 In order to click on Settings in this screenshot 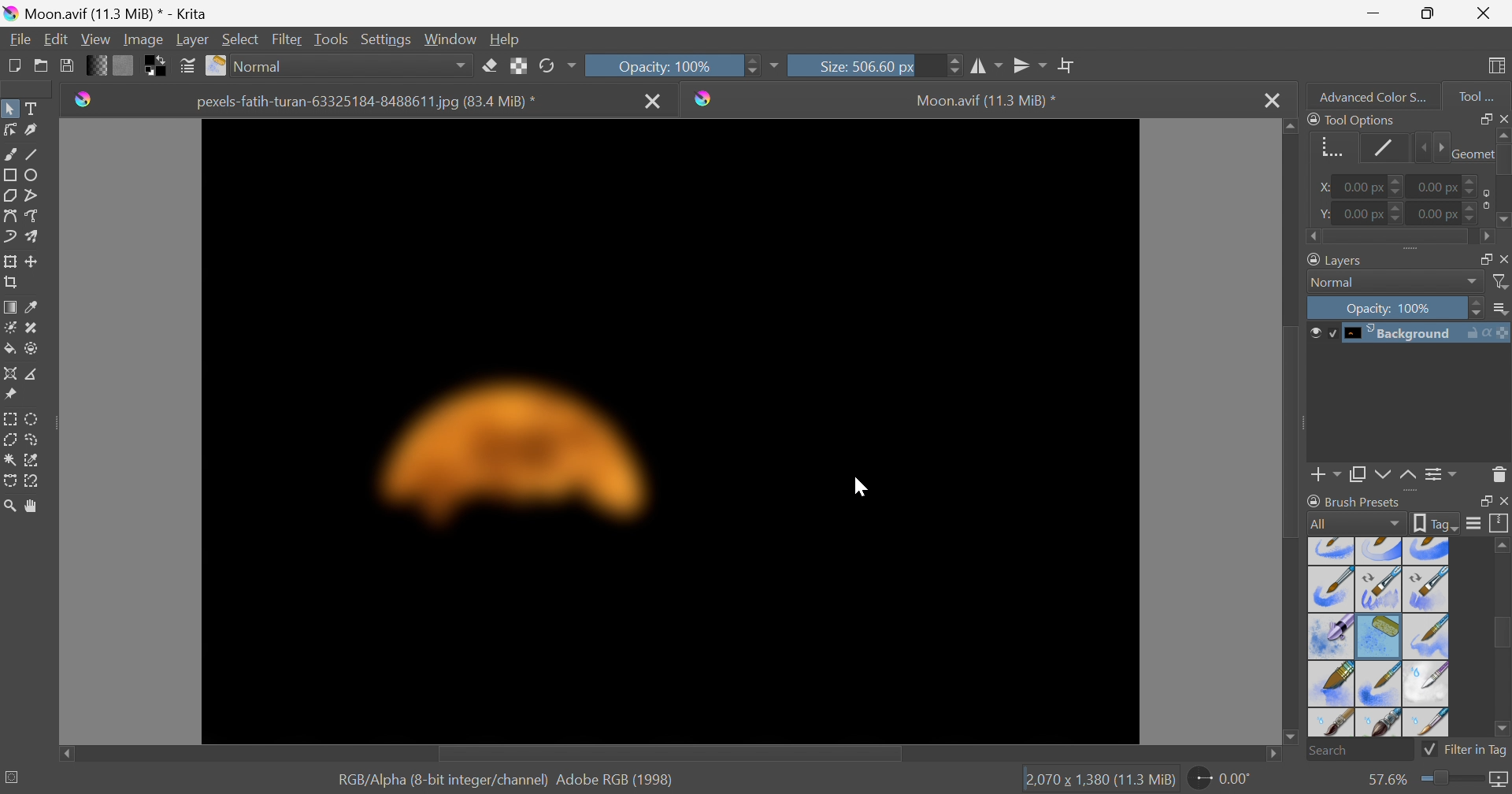, I will do `click(386, 41)`.